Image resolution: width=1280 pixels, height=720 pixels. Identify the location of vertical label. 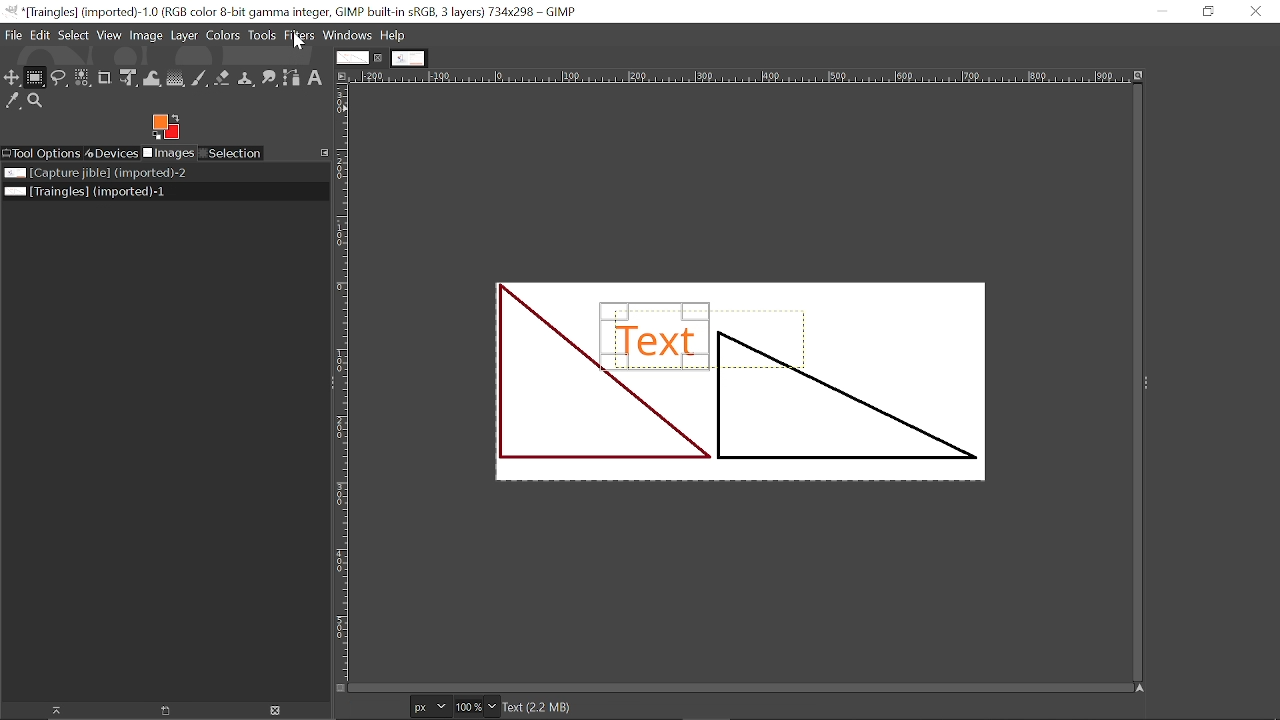
(343, 384).